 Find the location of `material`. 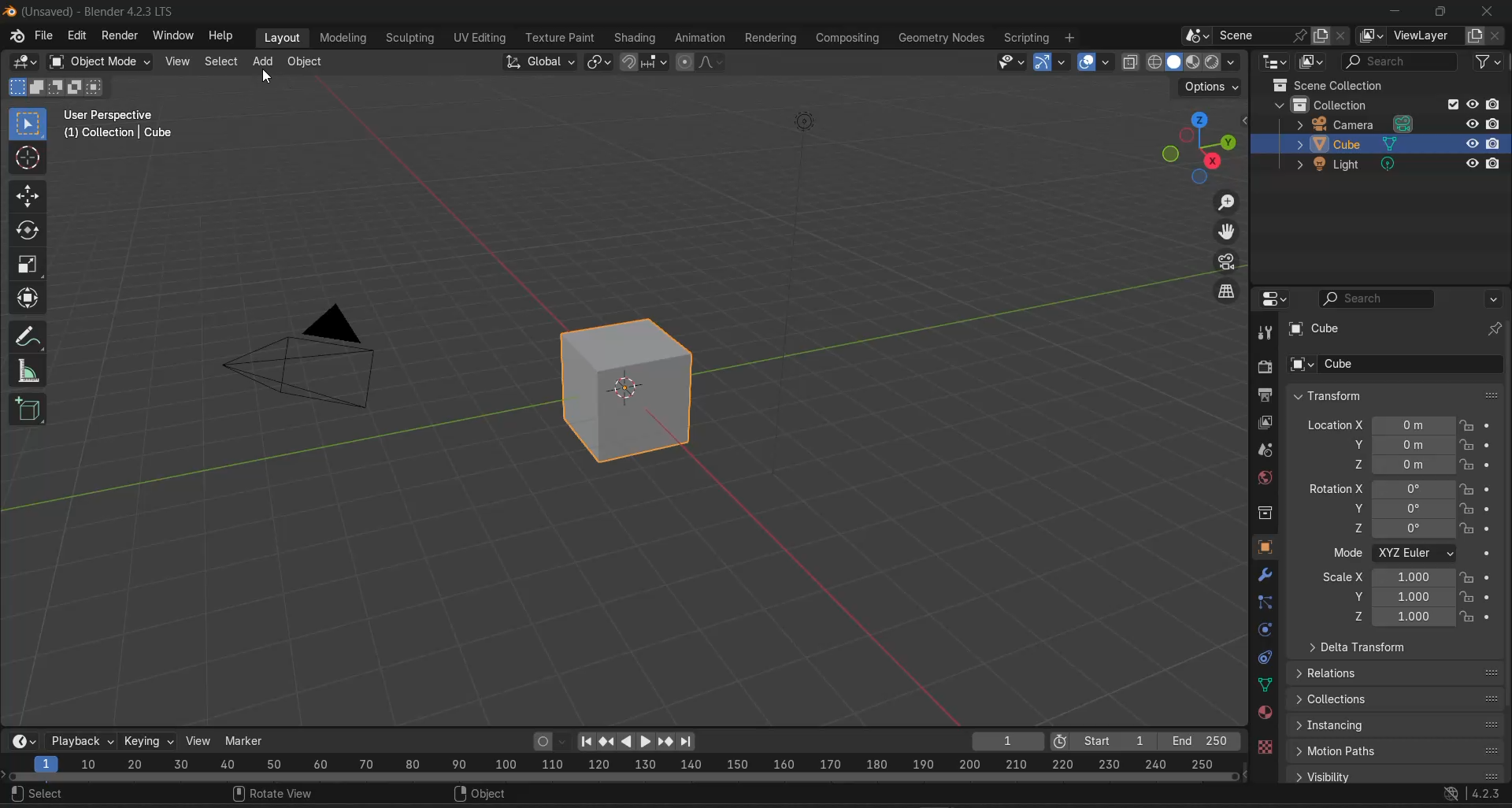

material is located at coordinates (1265, 712).